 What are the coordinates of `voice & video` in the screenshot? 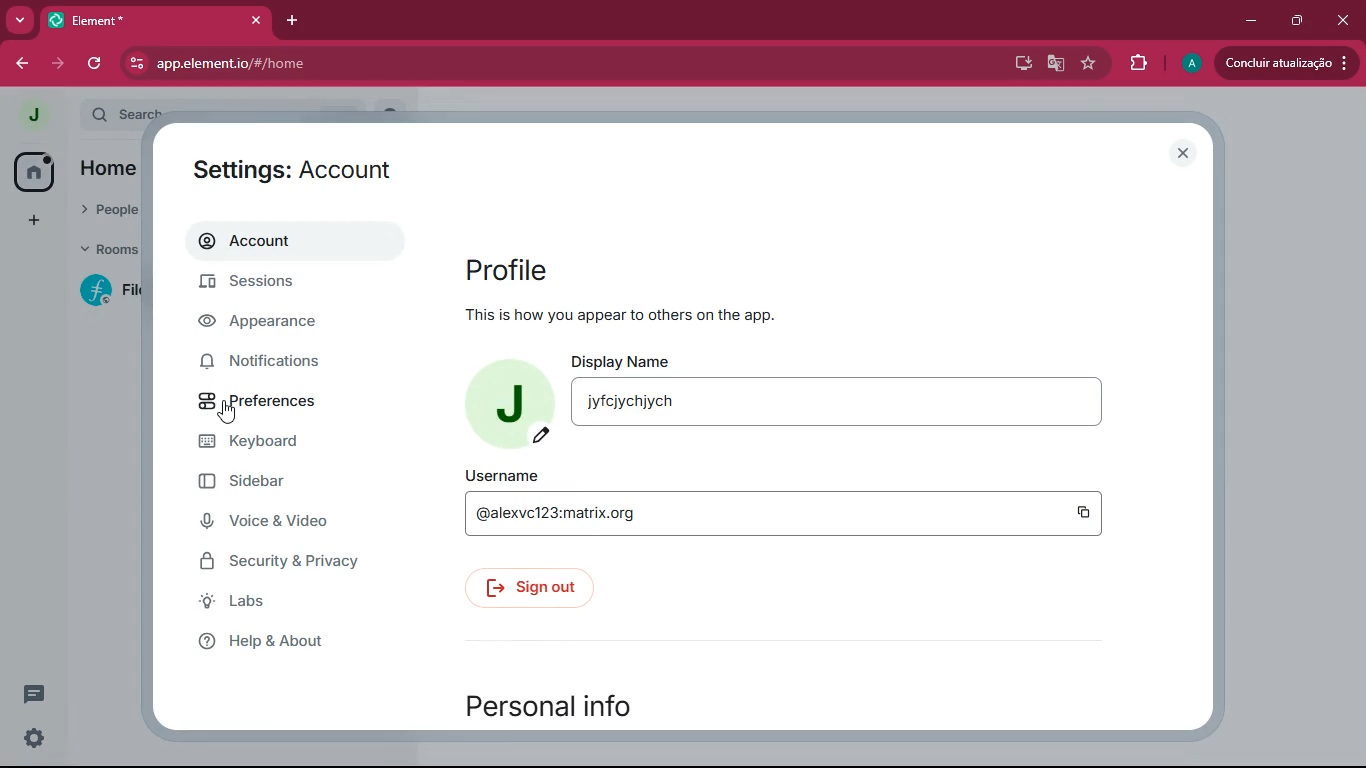 It's located at (293, 521).